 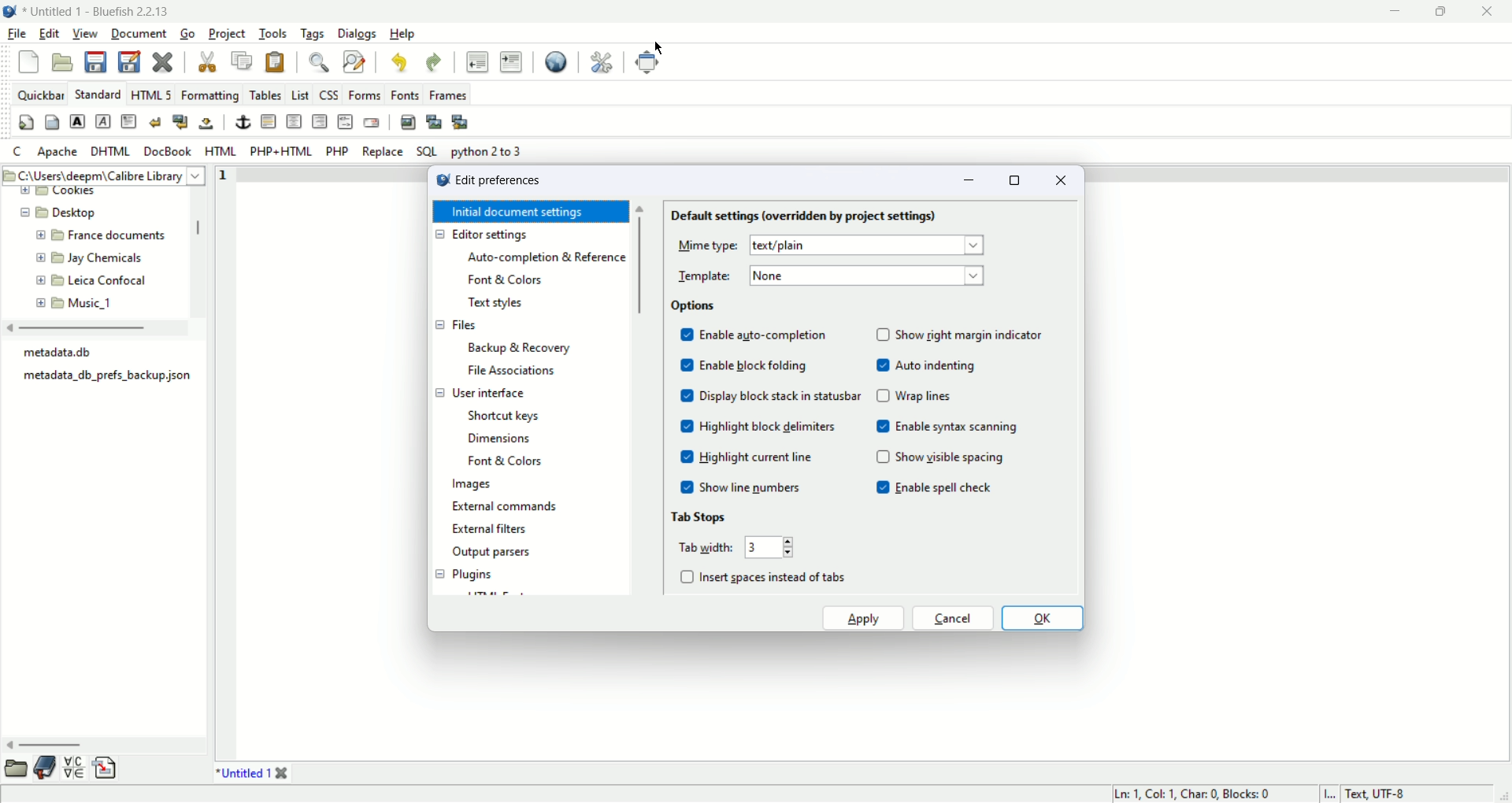 What do you see at coordinates (200, 231) in the screenshot?
I see `vertical scroll bar` at bounding box center [200, 231].